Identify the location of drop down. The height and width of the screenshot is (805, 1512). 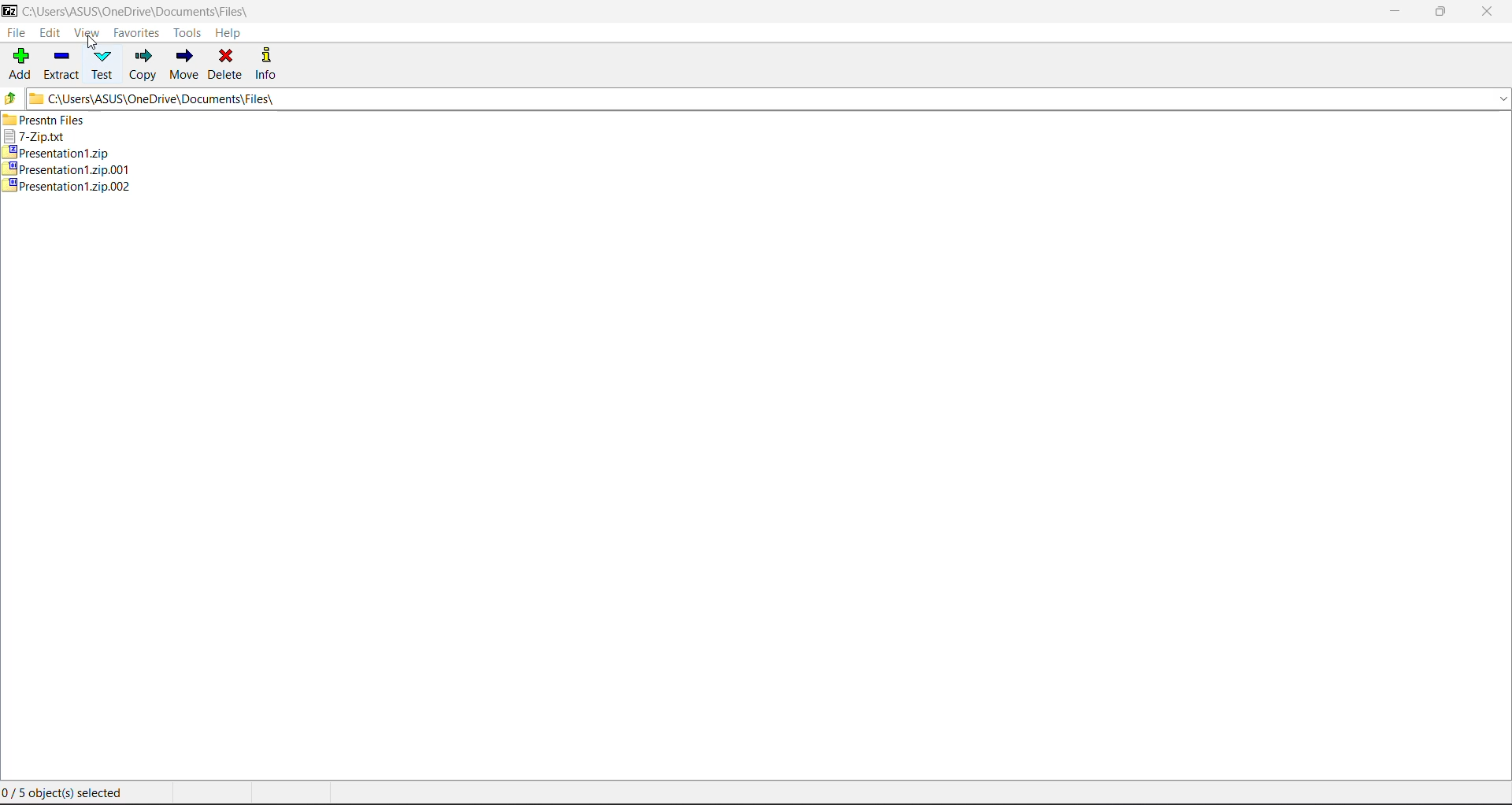
(1498, 100).